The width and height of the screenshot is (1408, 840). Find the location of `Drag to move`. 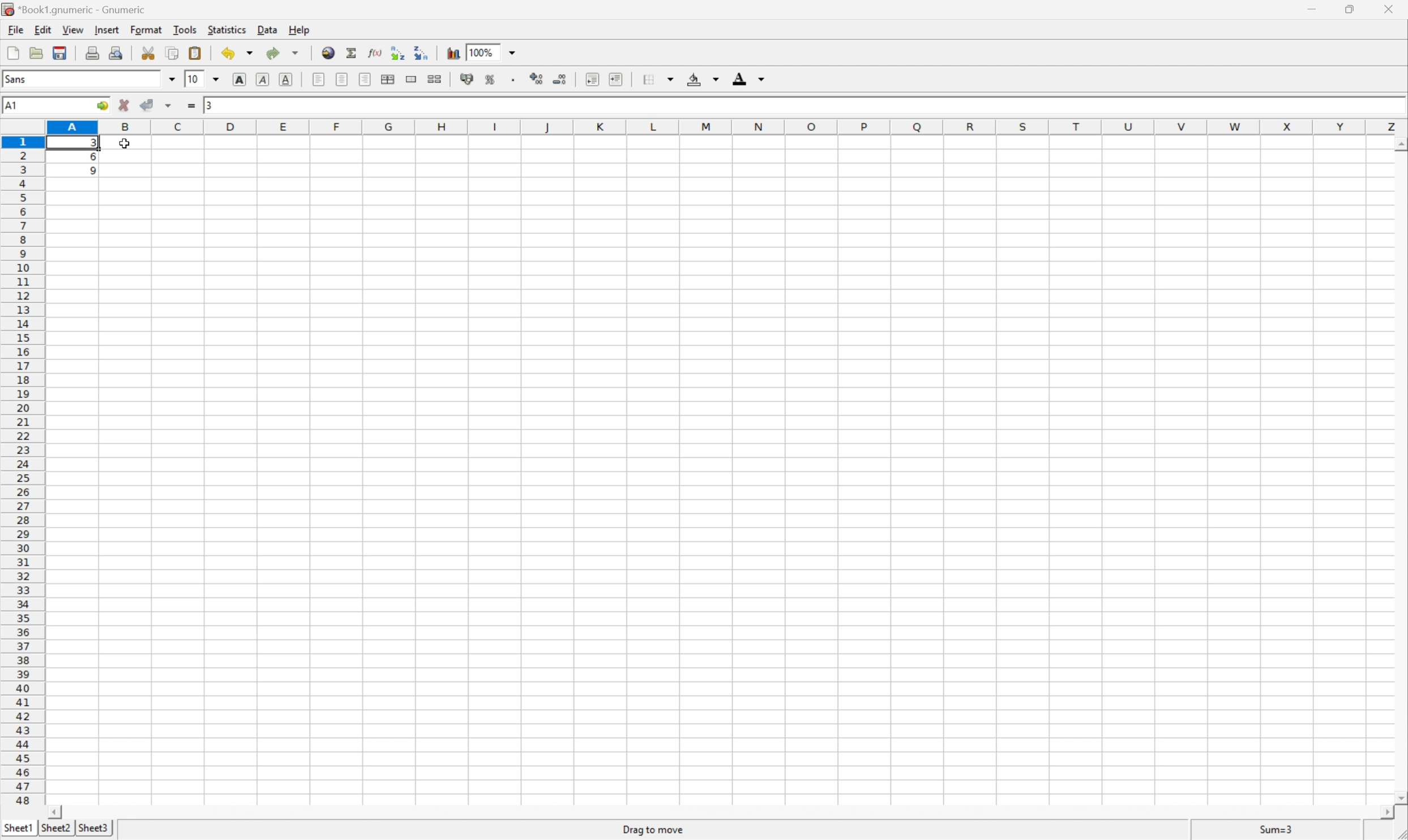

Drag to move is located at coordinates (654, 827).